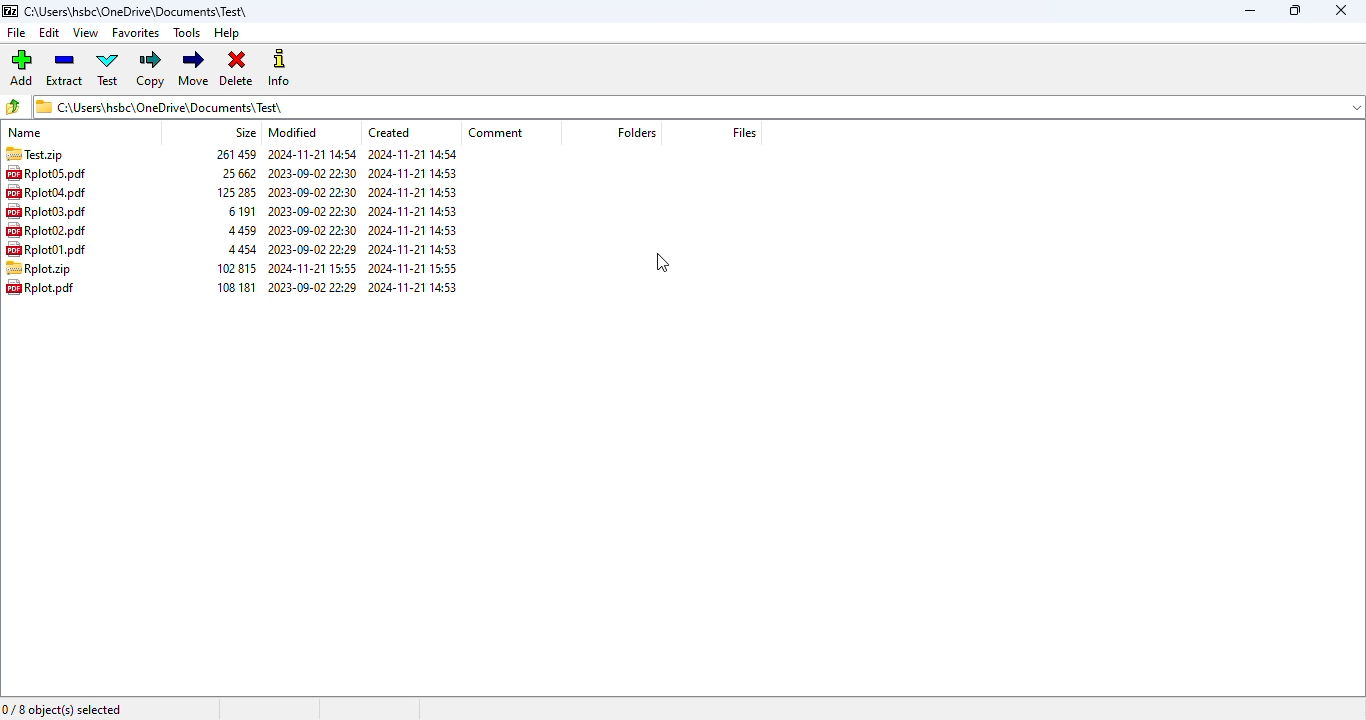 The height and width of the screenshot is (720, 1366). What do you see at coordinates (45, 249) in the screenshot?
I see `Rplot01.pdf` at bounding box center [45, 249].